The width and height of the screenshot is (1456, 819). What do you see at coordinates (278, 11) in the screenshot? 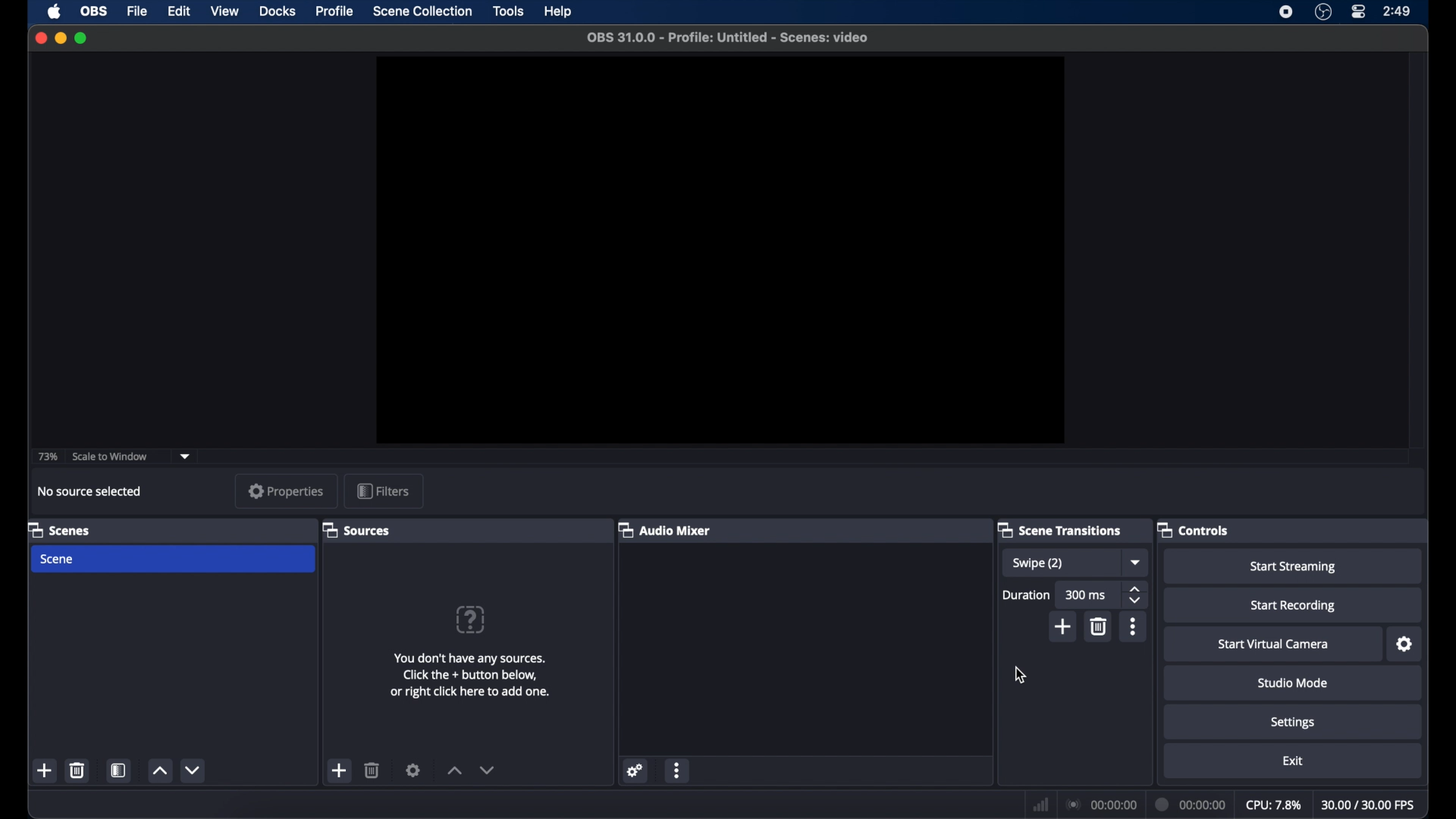
I see `docks` at bounding box center [278, 11].